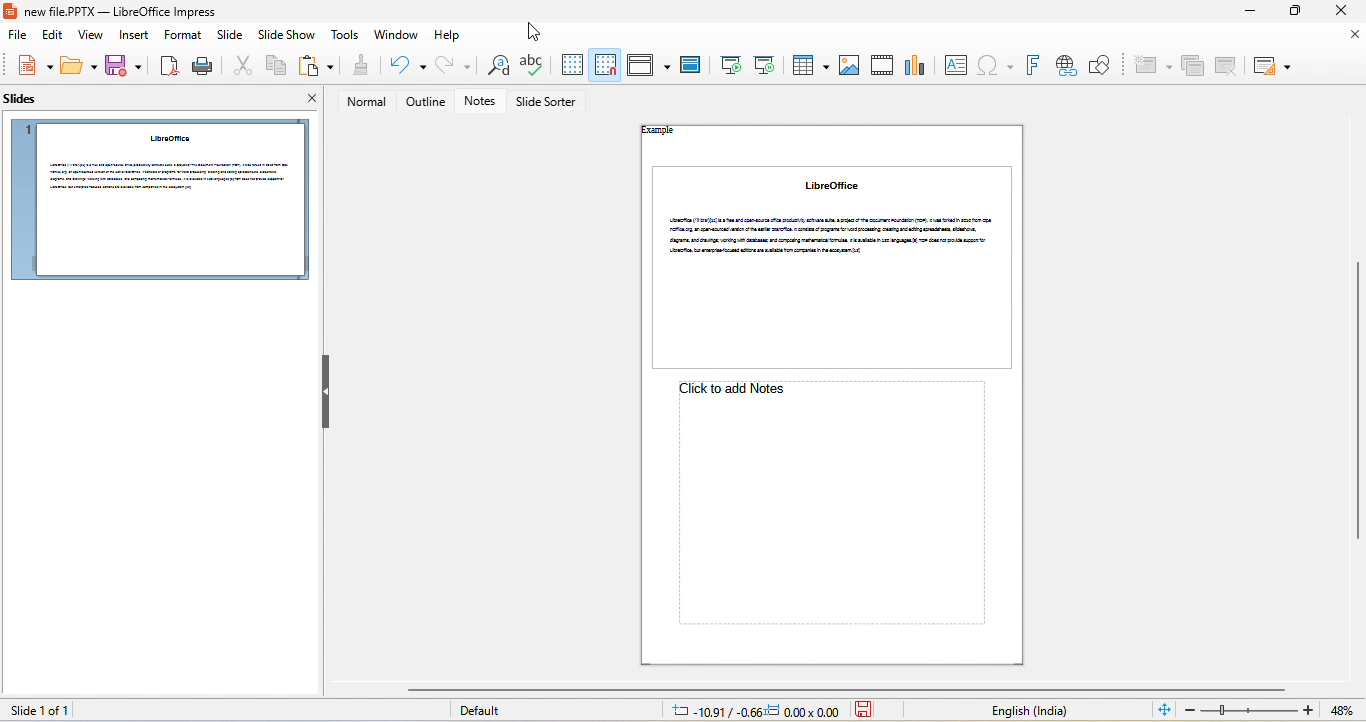 The image size is (1366, 722). I want to click on window, so click(397, 35).